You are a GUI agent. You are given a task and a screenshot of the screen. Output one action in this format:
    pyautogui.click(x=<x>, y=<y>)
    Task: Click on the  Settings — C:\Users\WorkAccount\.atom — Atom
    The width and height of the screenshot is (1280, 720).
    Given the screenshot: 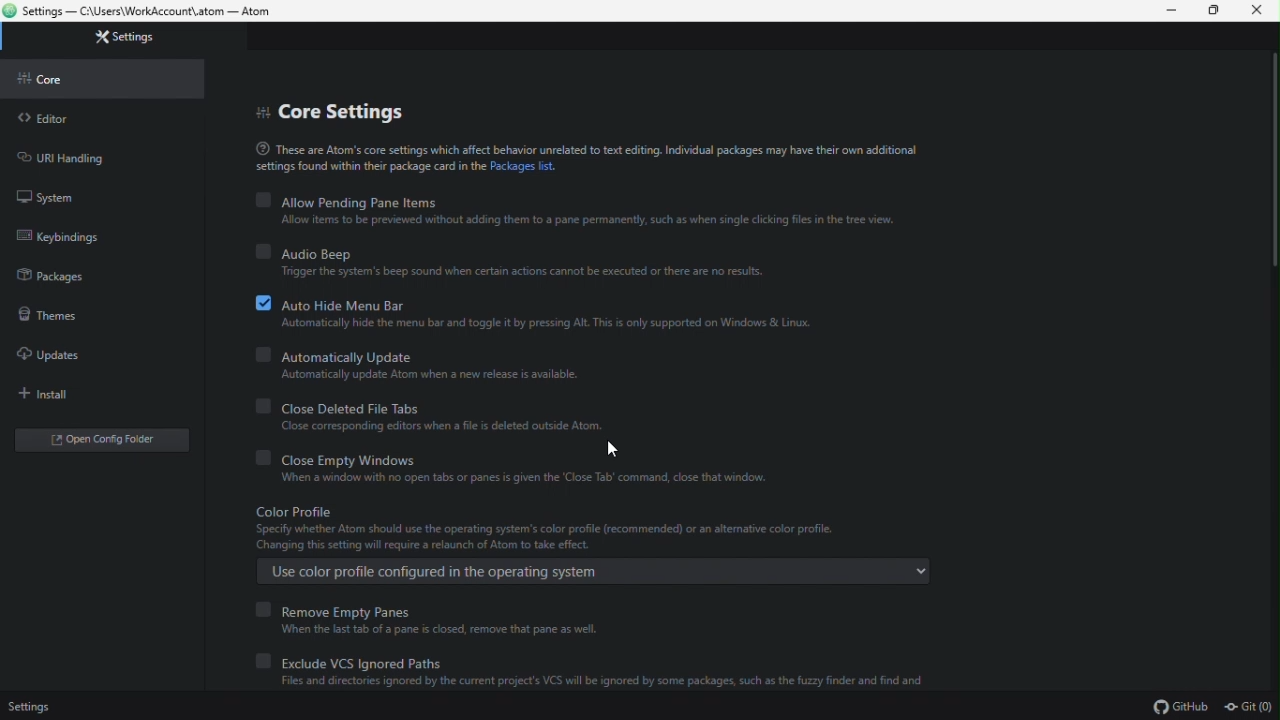 What is the action you would take?
    pyautogui.click(x=150, y=12)
    